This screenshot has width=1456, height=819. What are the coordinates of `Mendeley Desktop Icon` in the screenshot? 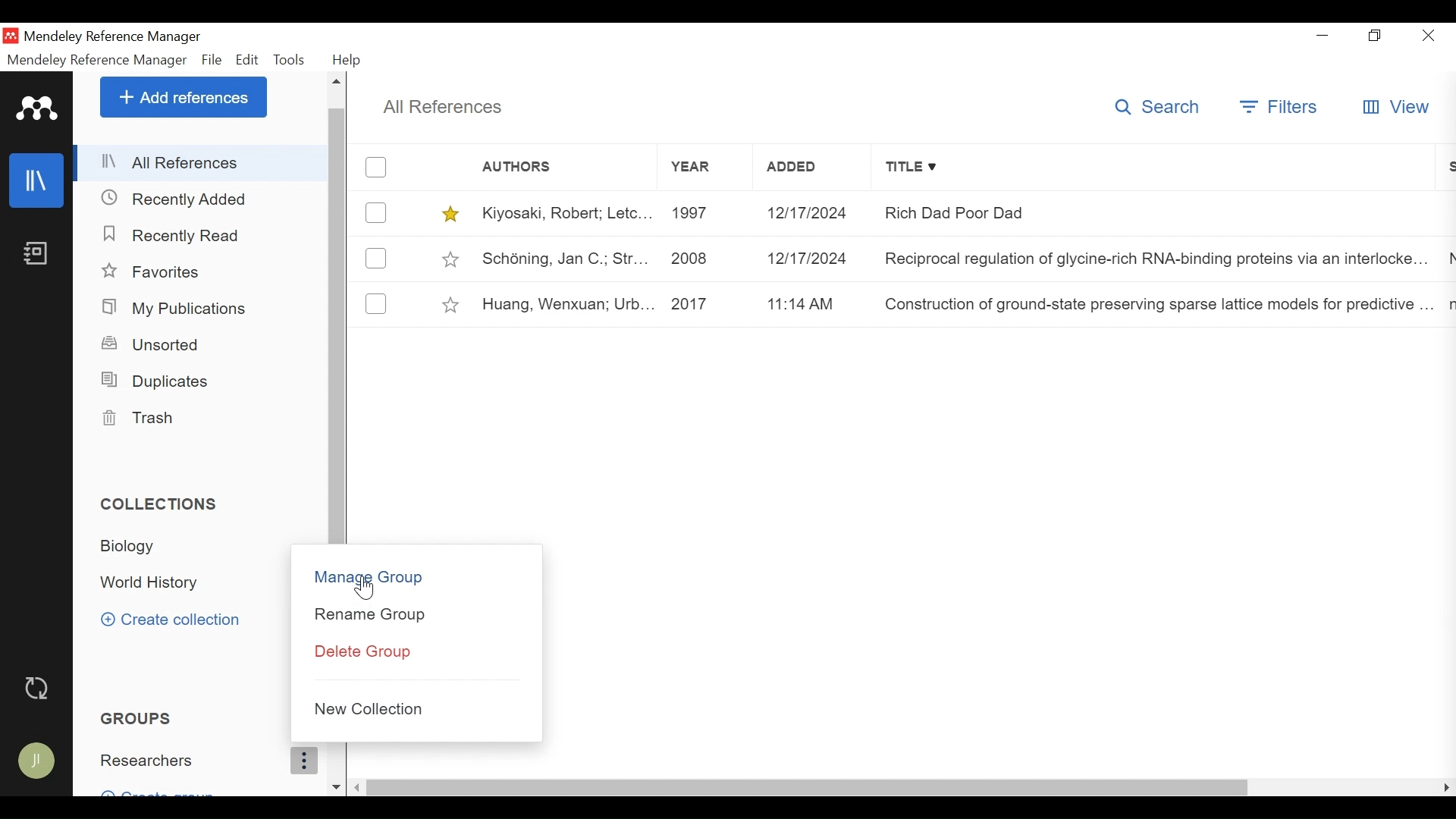 It's located at (11, 36).